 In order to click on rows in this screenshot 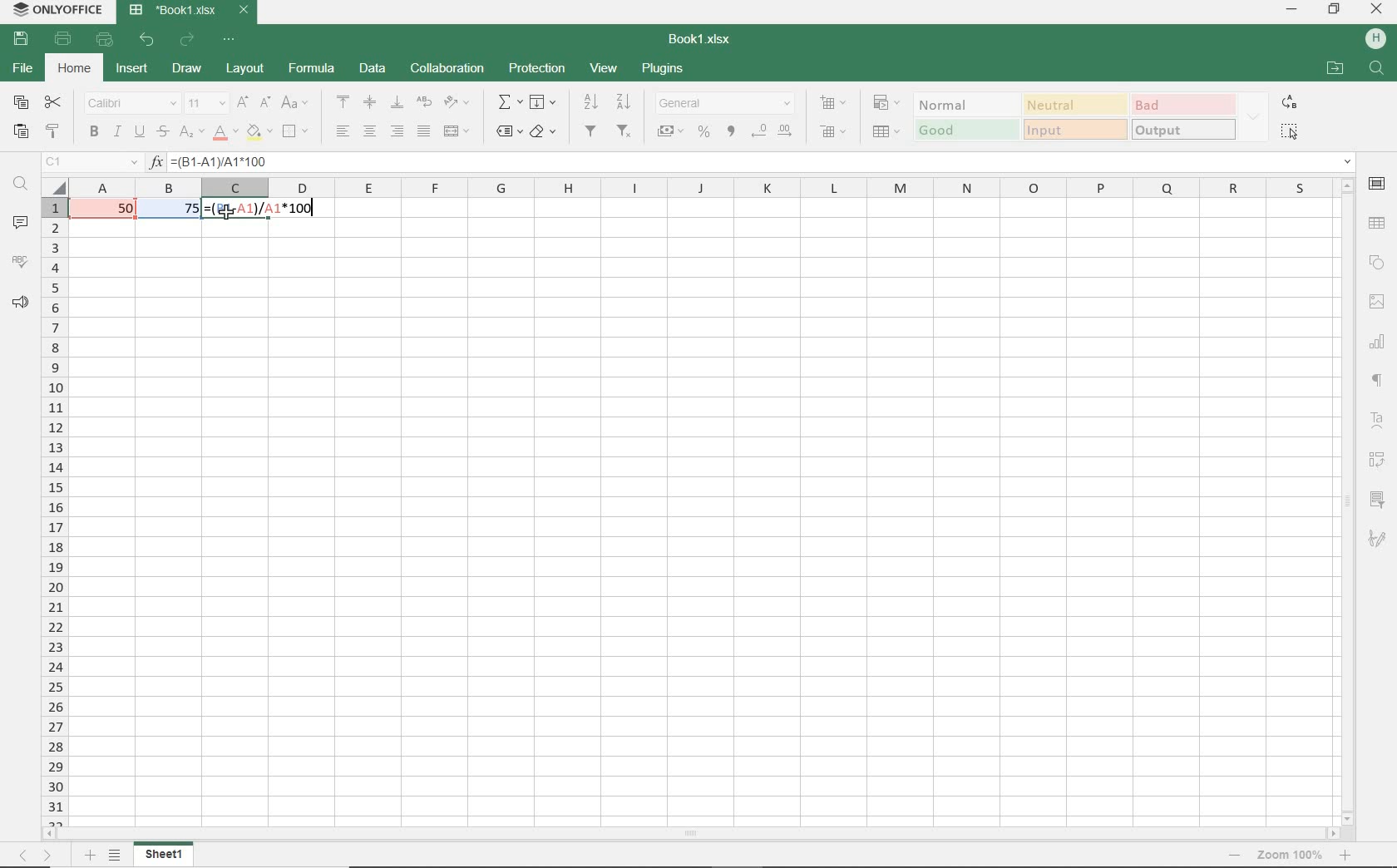, I will do `click(54, 510)`.